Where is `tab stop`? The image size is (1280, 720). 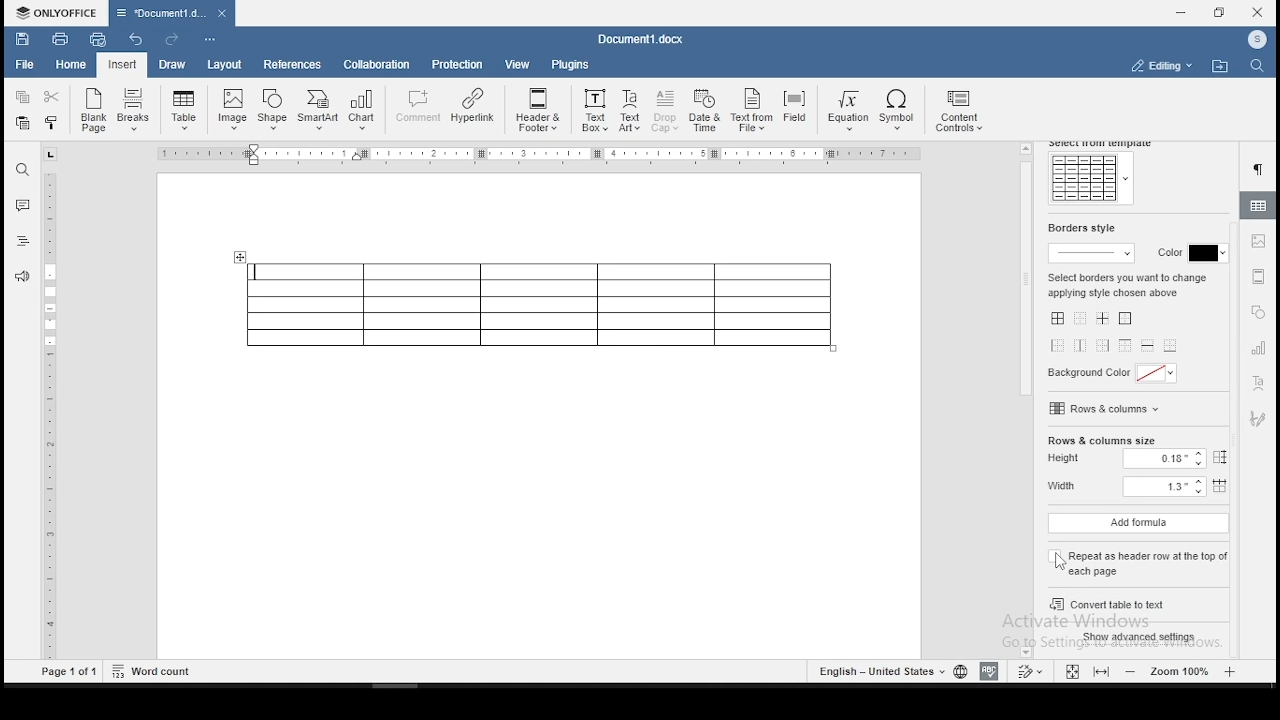
tab stop is located at coordinates (51, 154).